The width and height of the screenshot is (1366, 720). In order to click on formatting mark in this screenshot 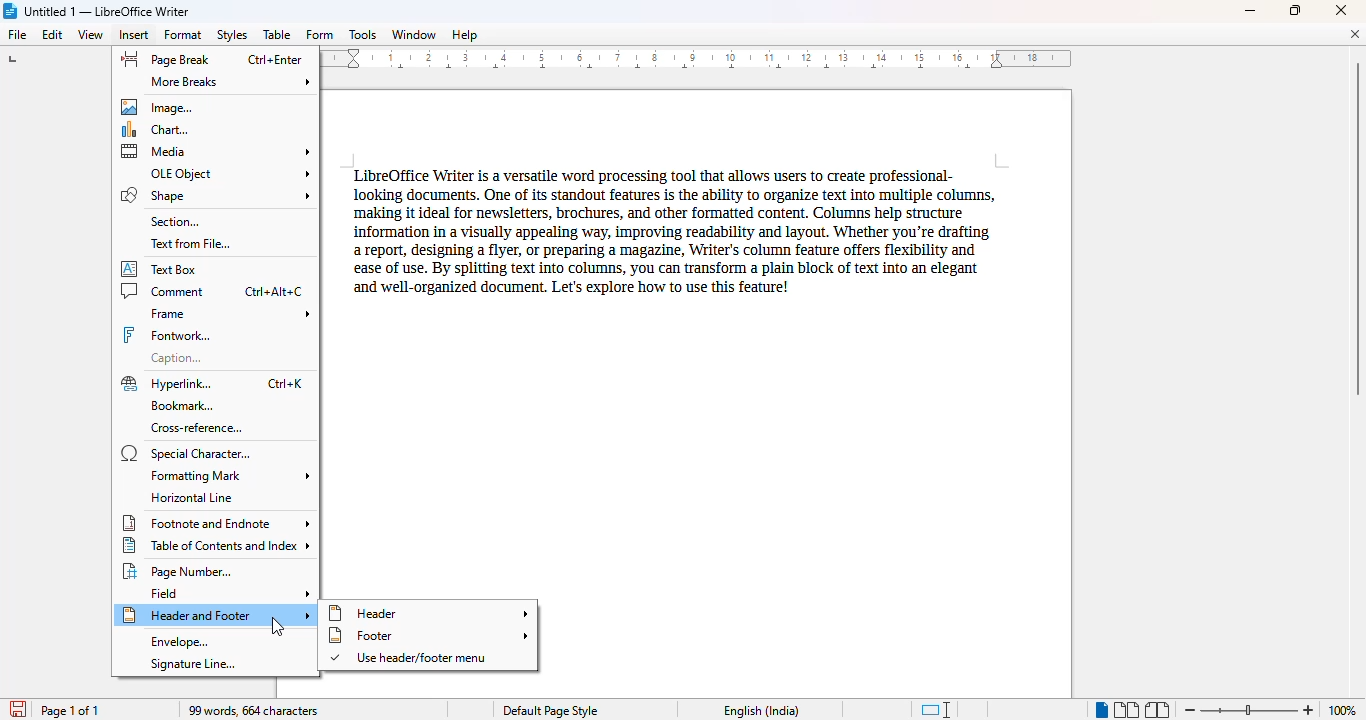, I will do `click(228, 476)`.